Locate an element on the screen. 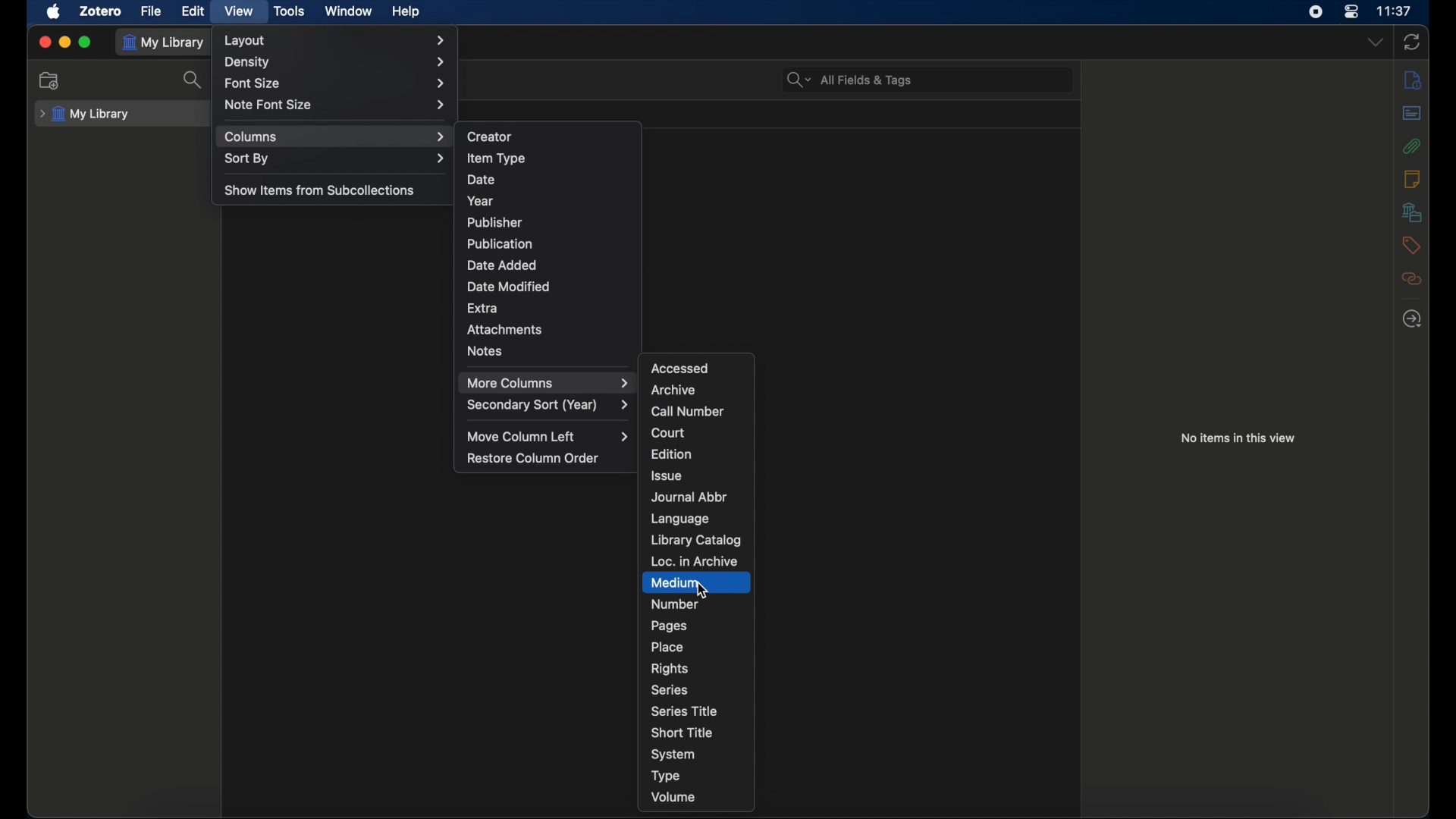 The image size is (1456, 819). info is located at coordinates (1412, 79).